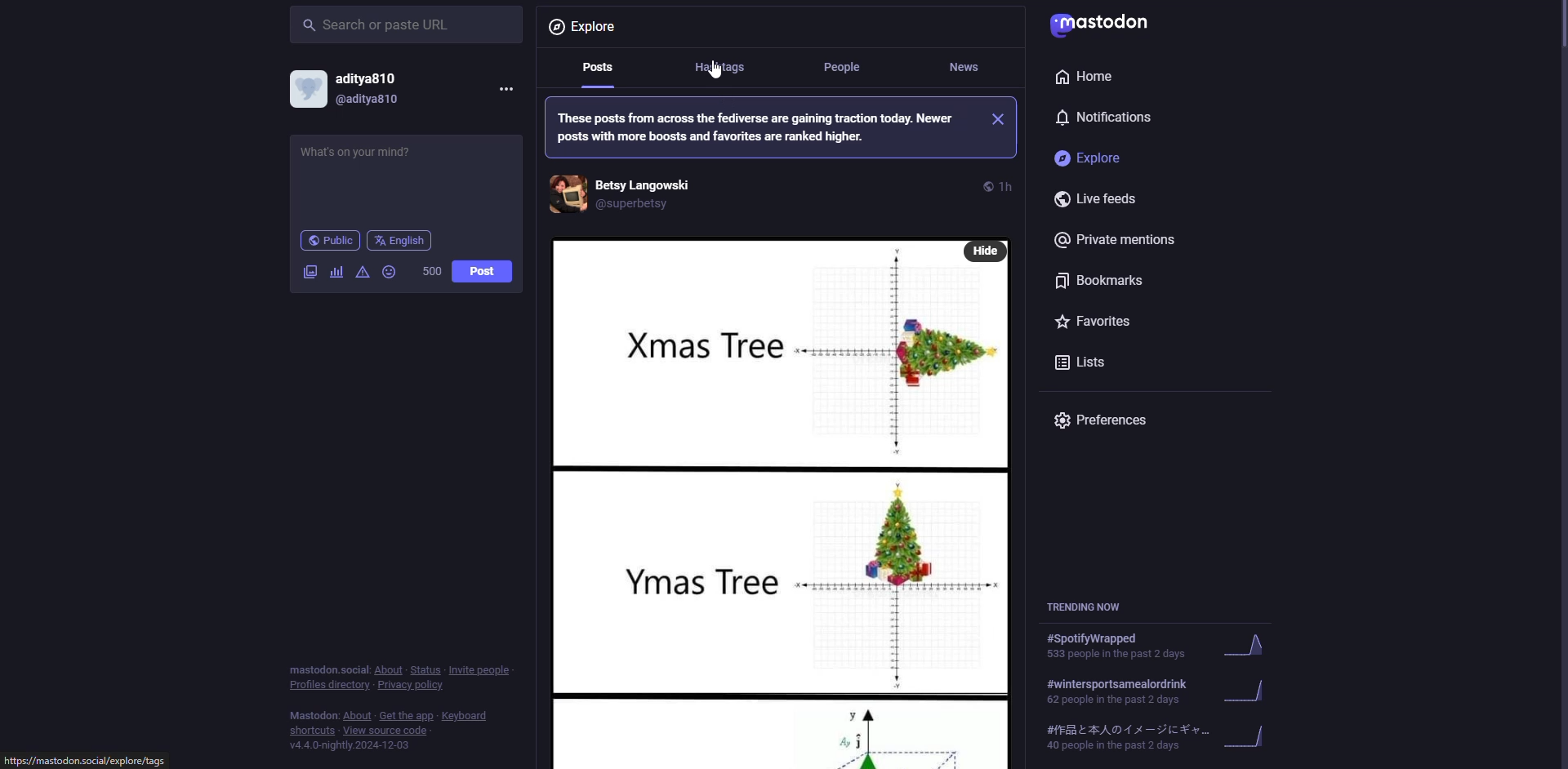 The height and width of the screenshot is (769, 1568). I want to click on explore, so click(1094, 159).